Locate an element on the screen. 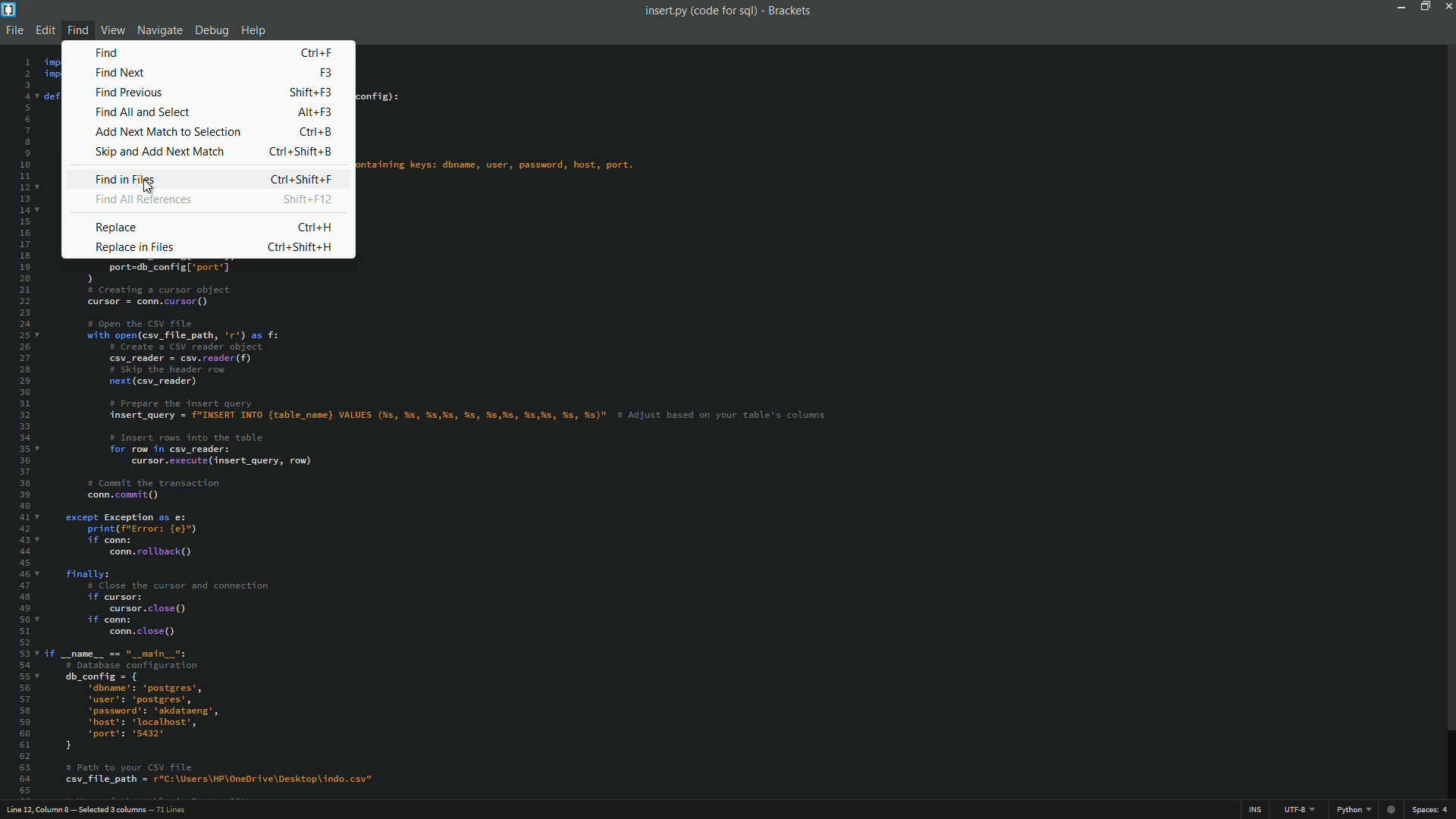 The image size is (1456, 819). app icon is located at coordinates (9, 10).